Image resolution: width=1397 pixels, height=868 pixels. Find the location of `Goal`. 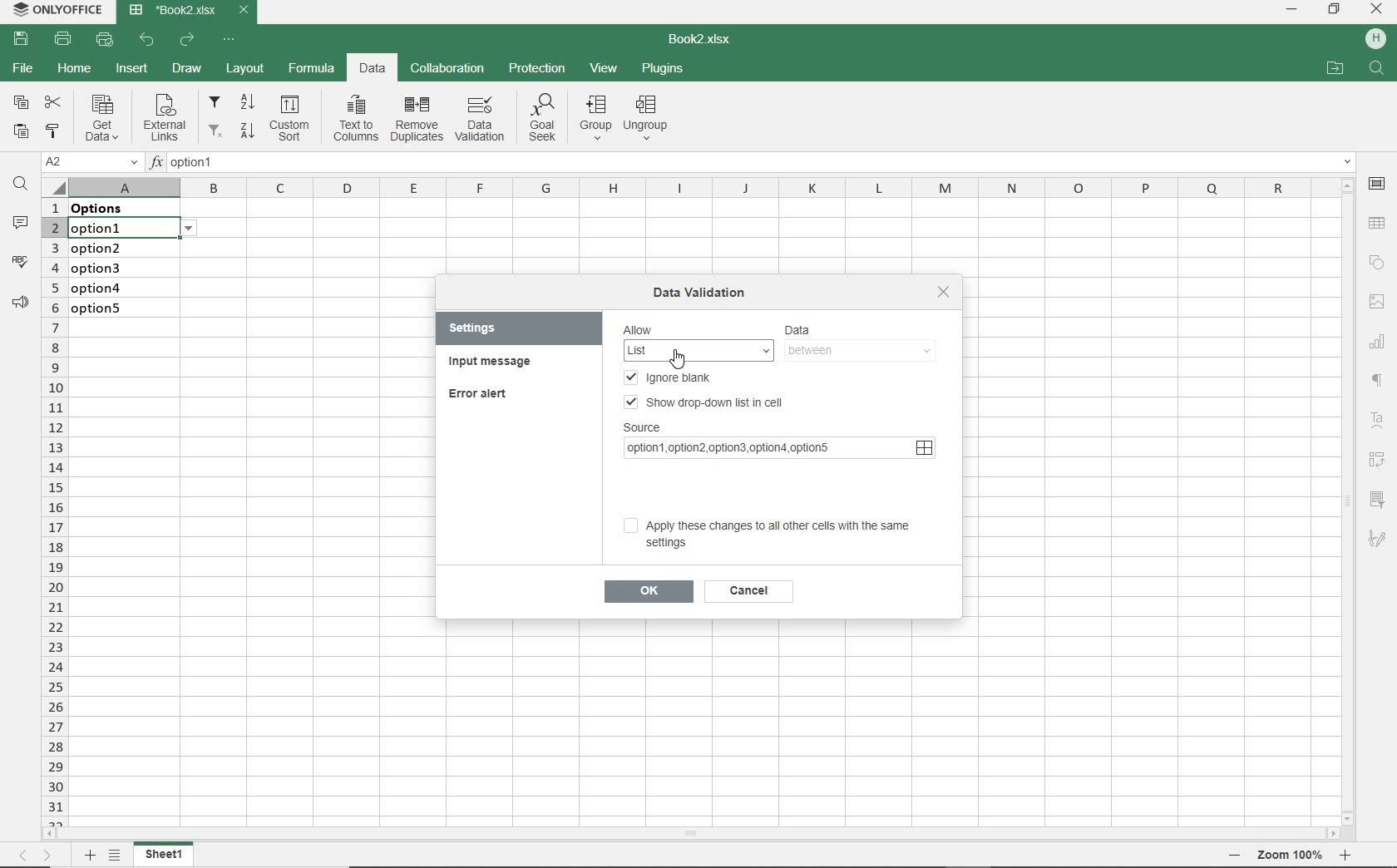

Goal is located at coordinates (540, 121).